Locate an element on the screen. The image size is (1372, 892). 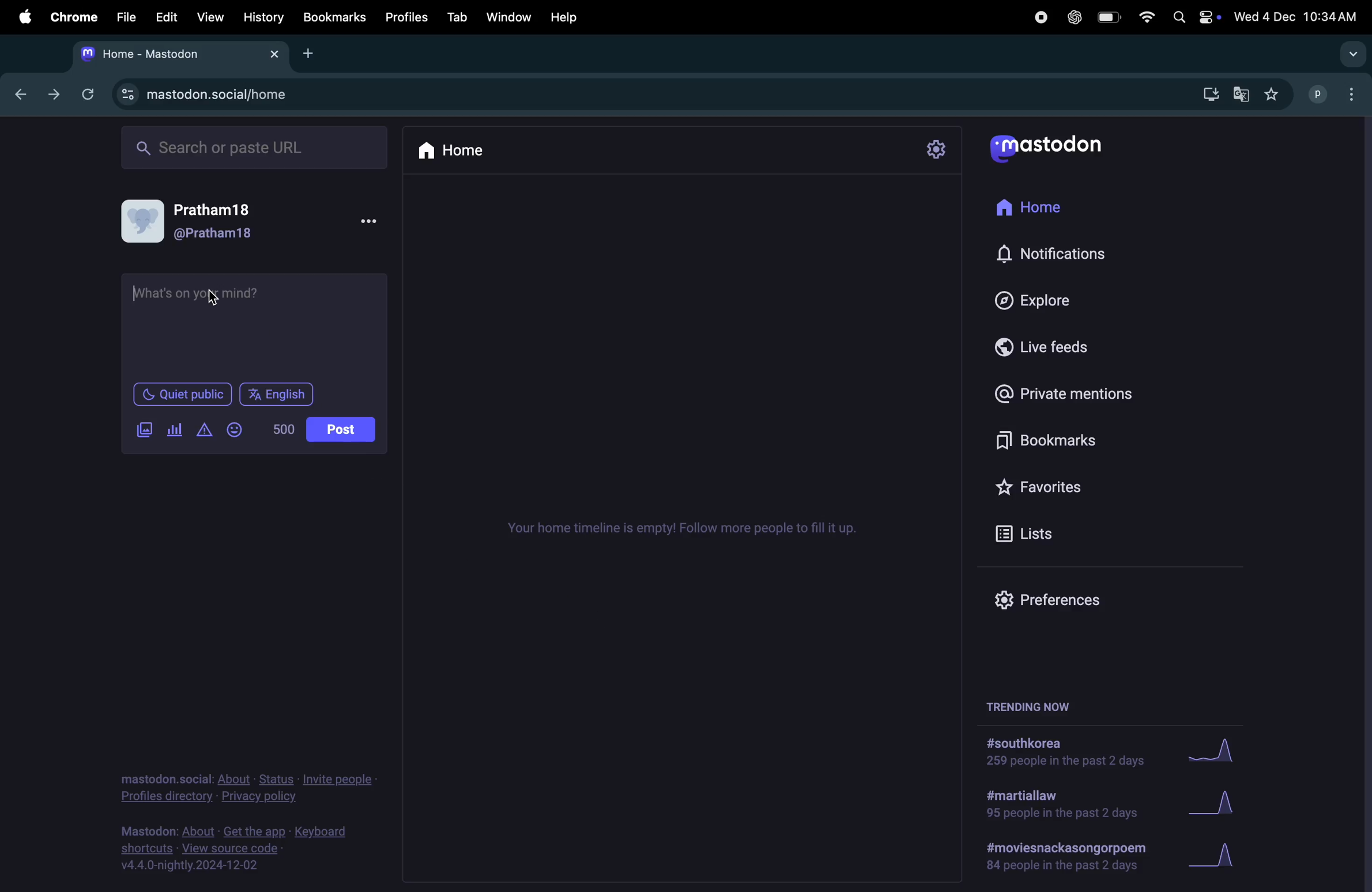
create alert is located at coordinates (205, 432).